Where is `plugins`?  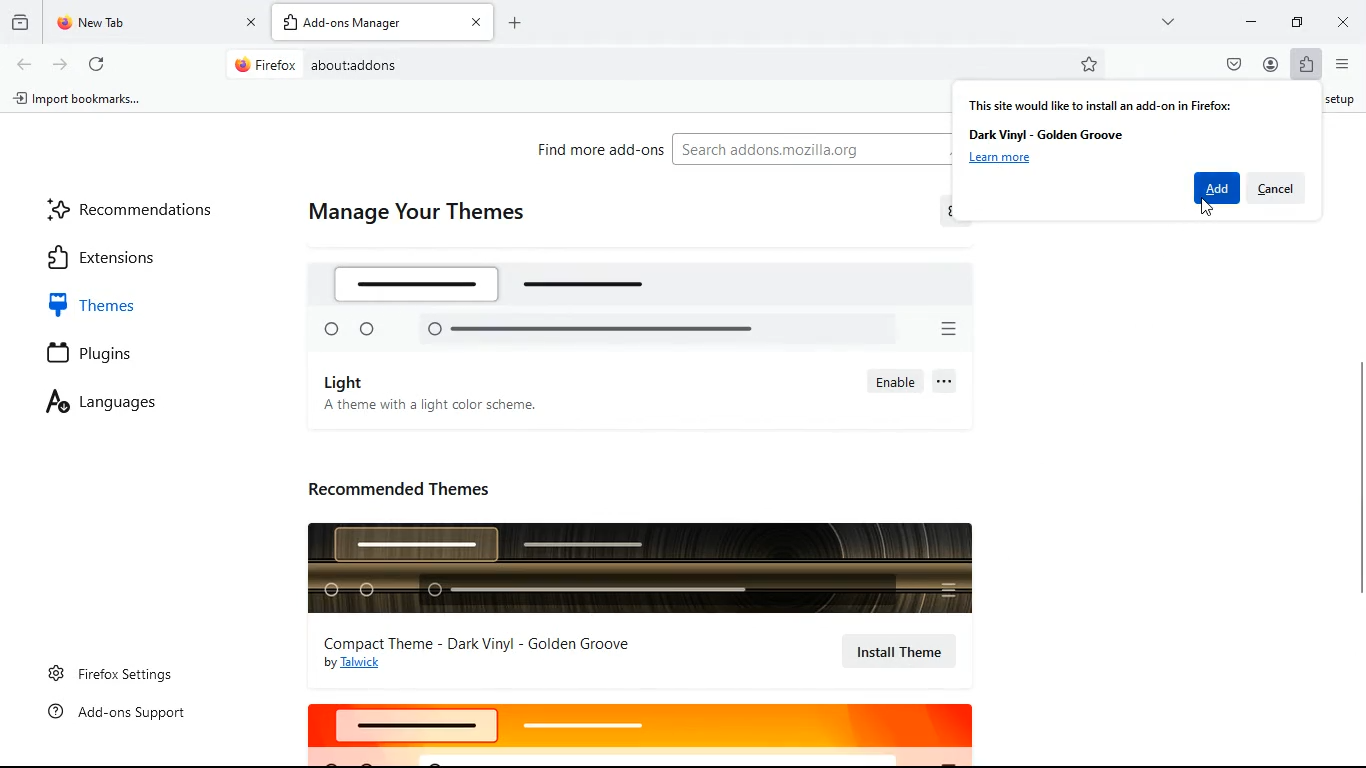 plugins is located at coordinates (109, 355).